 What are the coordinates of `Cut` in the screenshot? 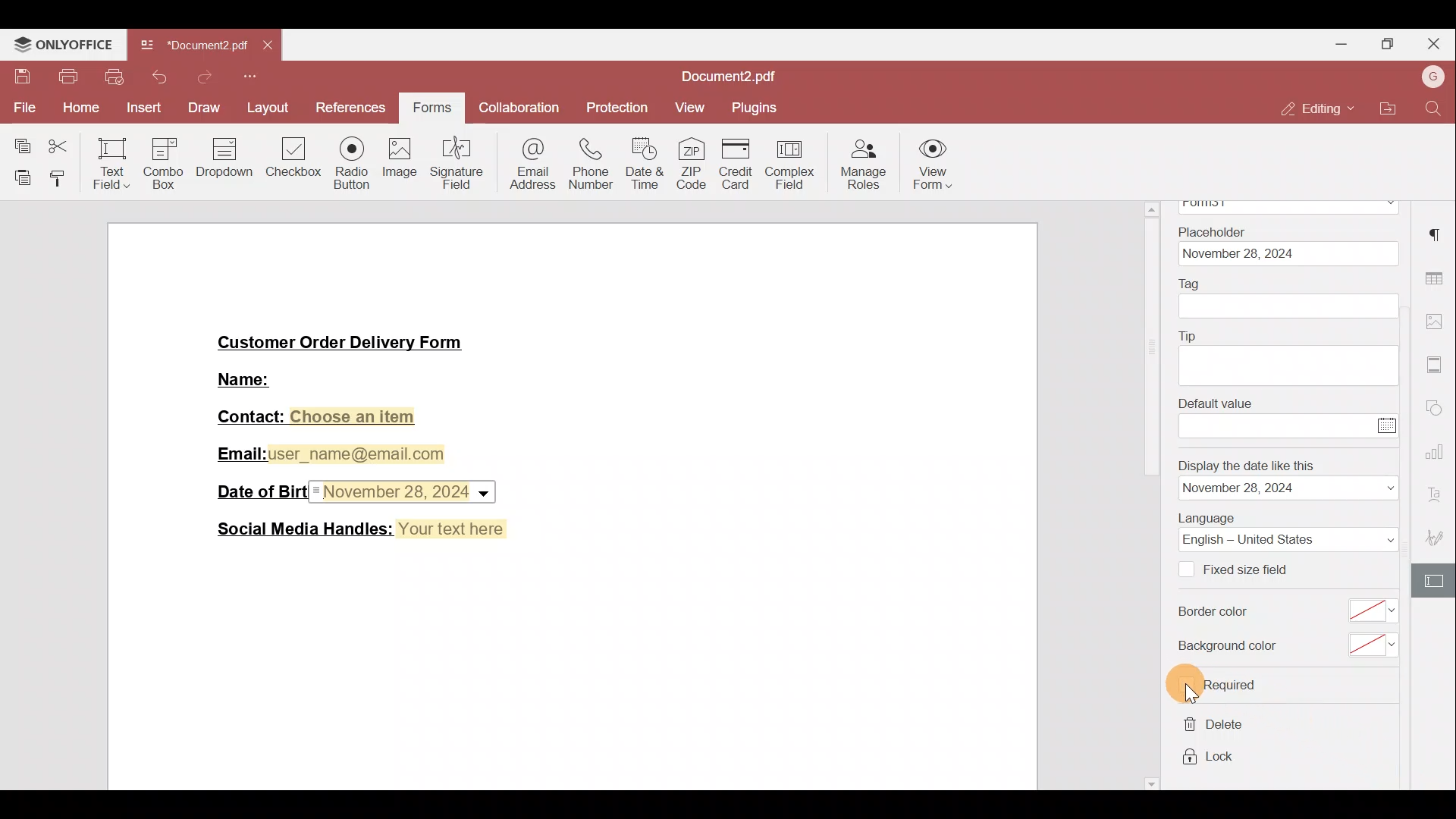 It's located at (62, 143).